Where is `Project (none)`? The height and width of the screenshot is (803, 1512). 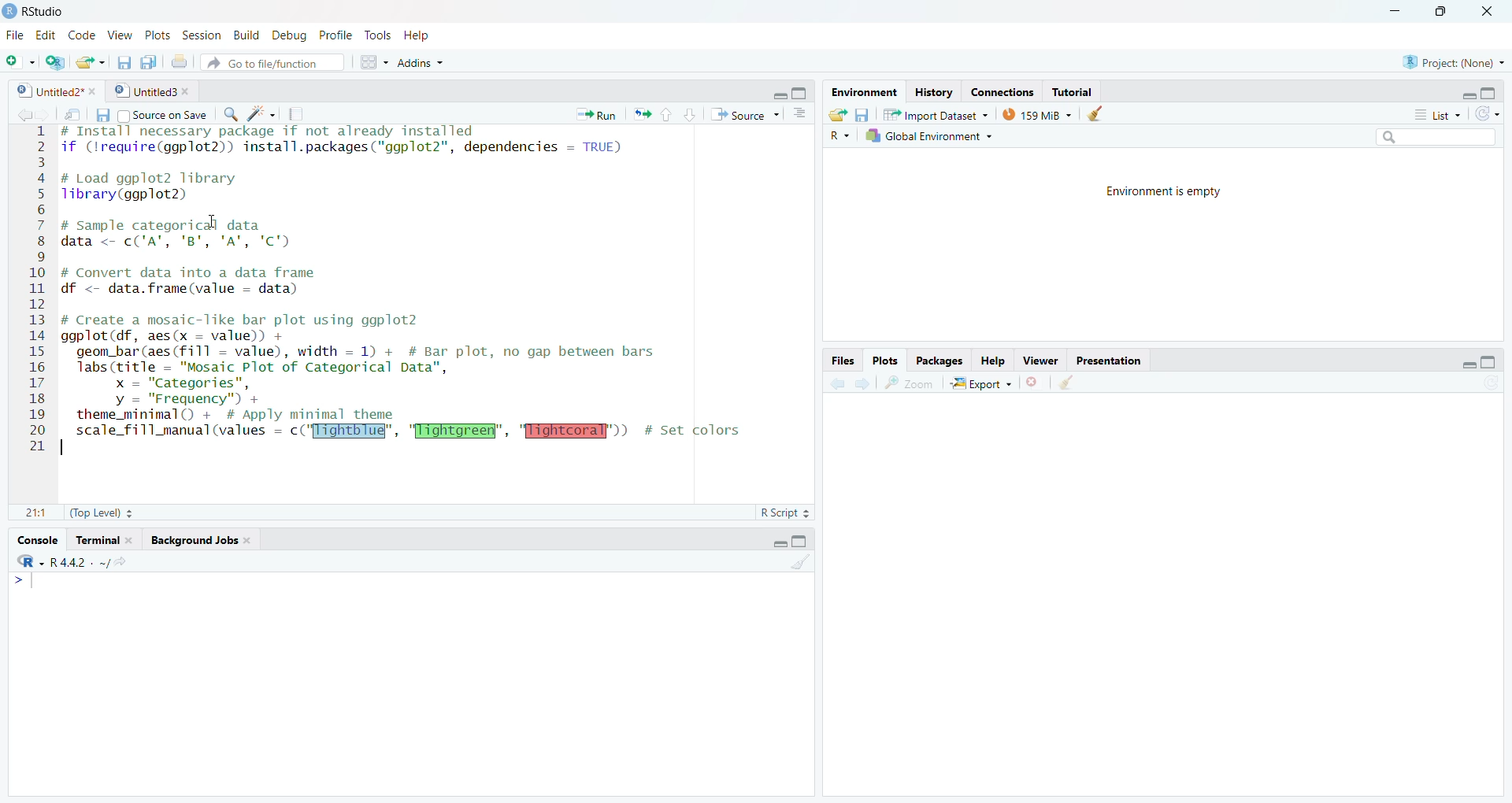 Project (none) is located at coordinates (1452, 61).